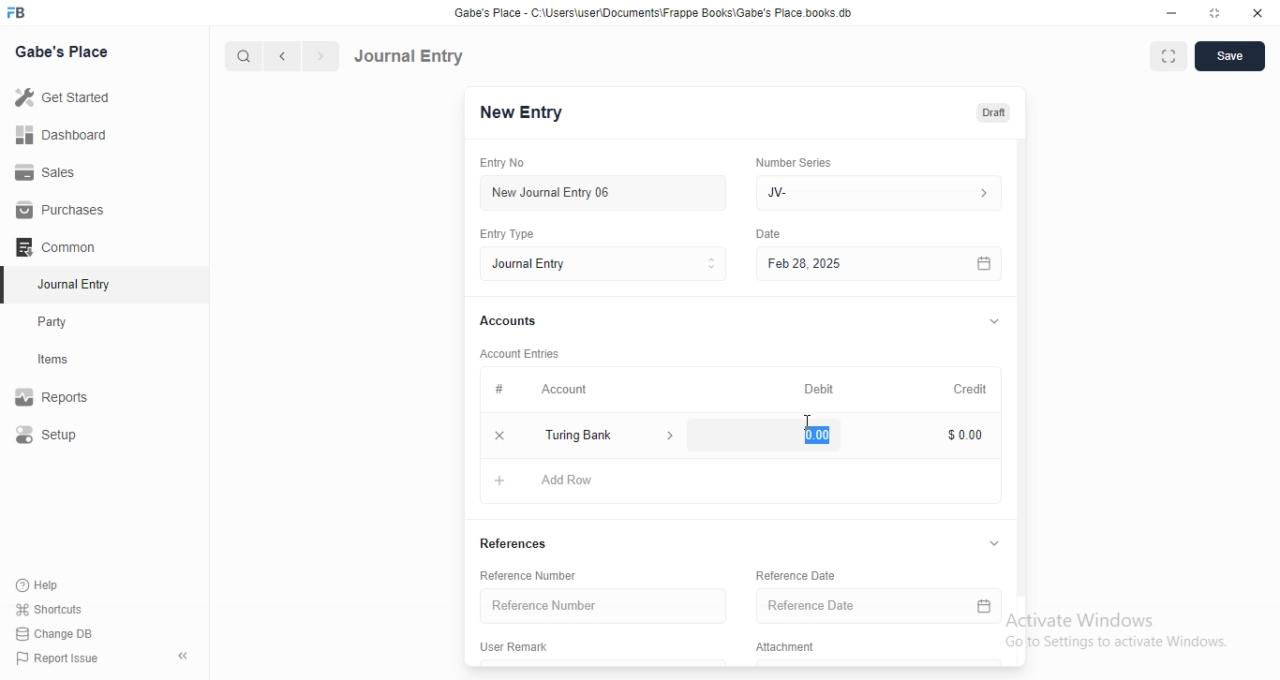 The width and height of the screenshot is (1280, 680). Describe the element at coordinates (508, 163) in the screenshot. I see `Entry No.` at that location.